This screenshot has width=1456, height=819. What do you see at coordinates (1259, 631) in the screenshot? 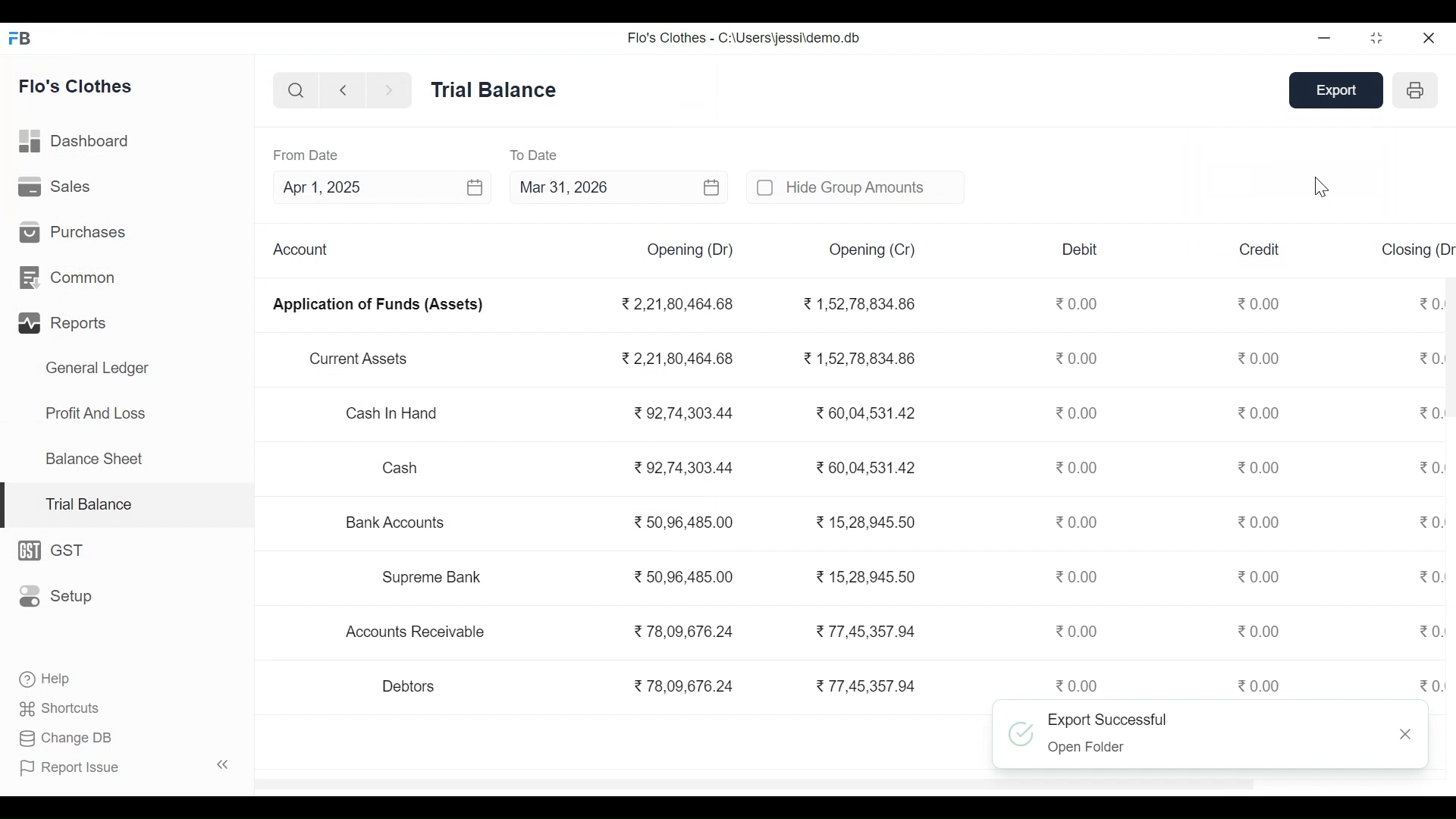
I see `0.00` at bounding box center [1259, 631].